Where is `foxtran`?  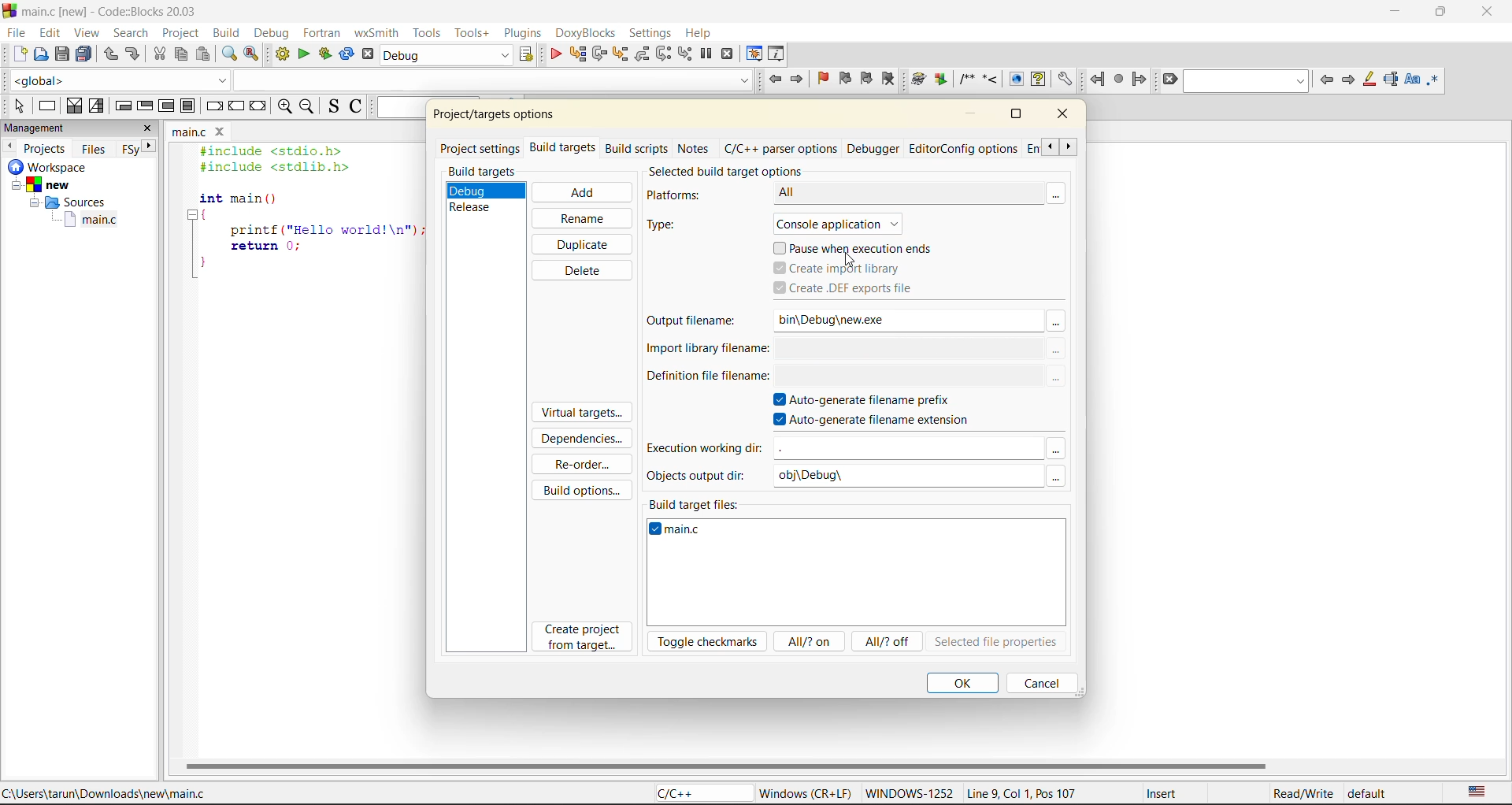 foxtran is located at coordinates (322, 35).